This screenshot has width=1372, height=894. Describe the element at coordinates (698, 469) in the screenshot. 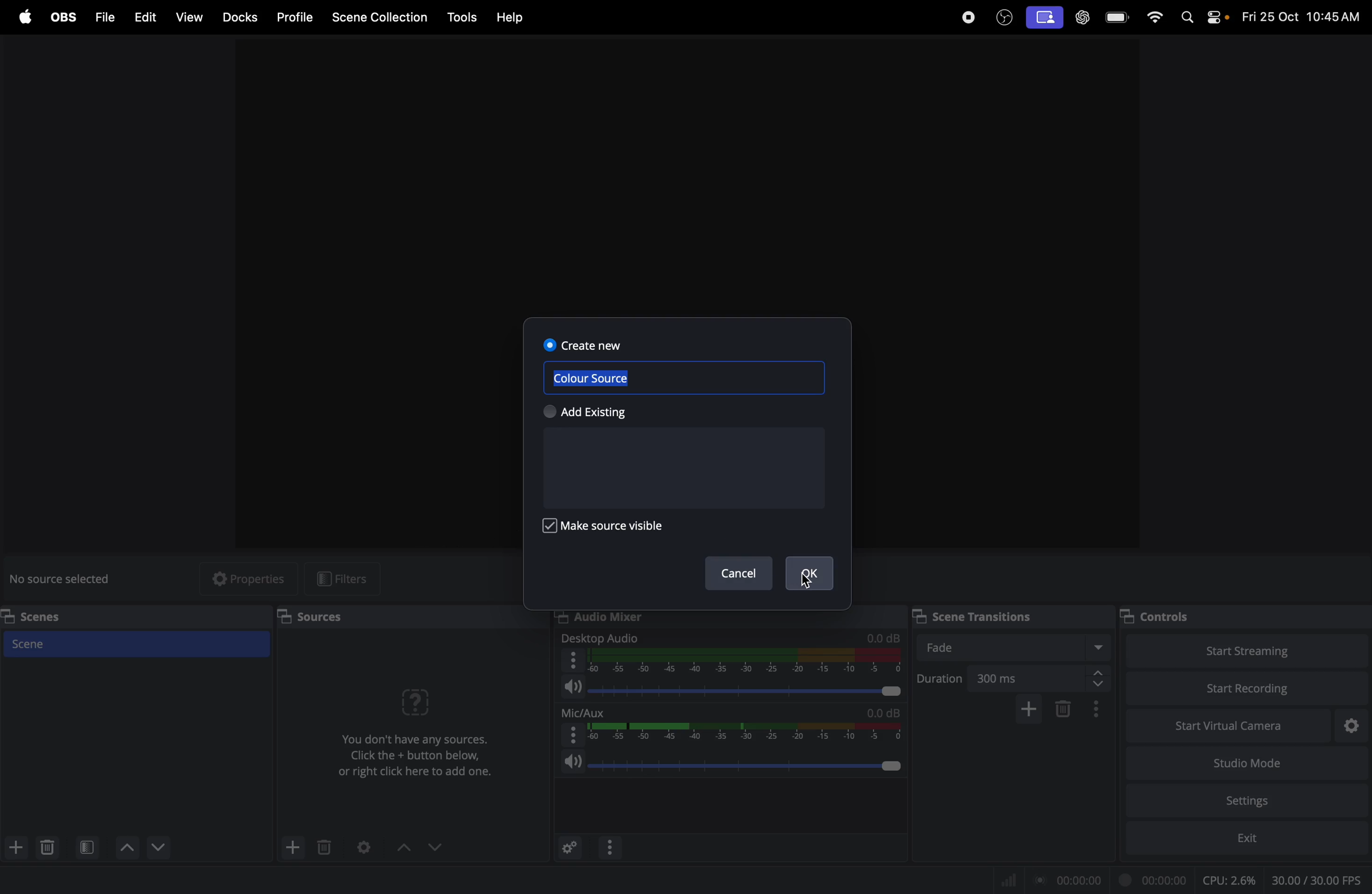

I see `existing sources` at that location.